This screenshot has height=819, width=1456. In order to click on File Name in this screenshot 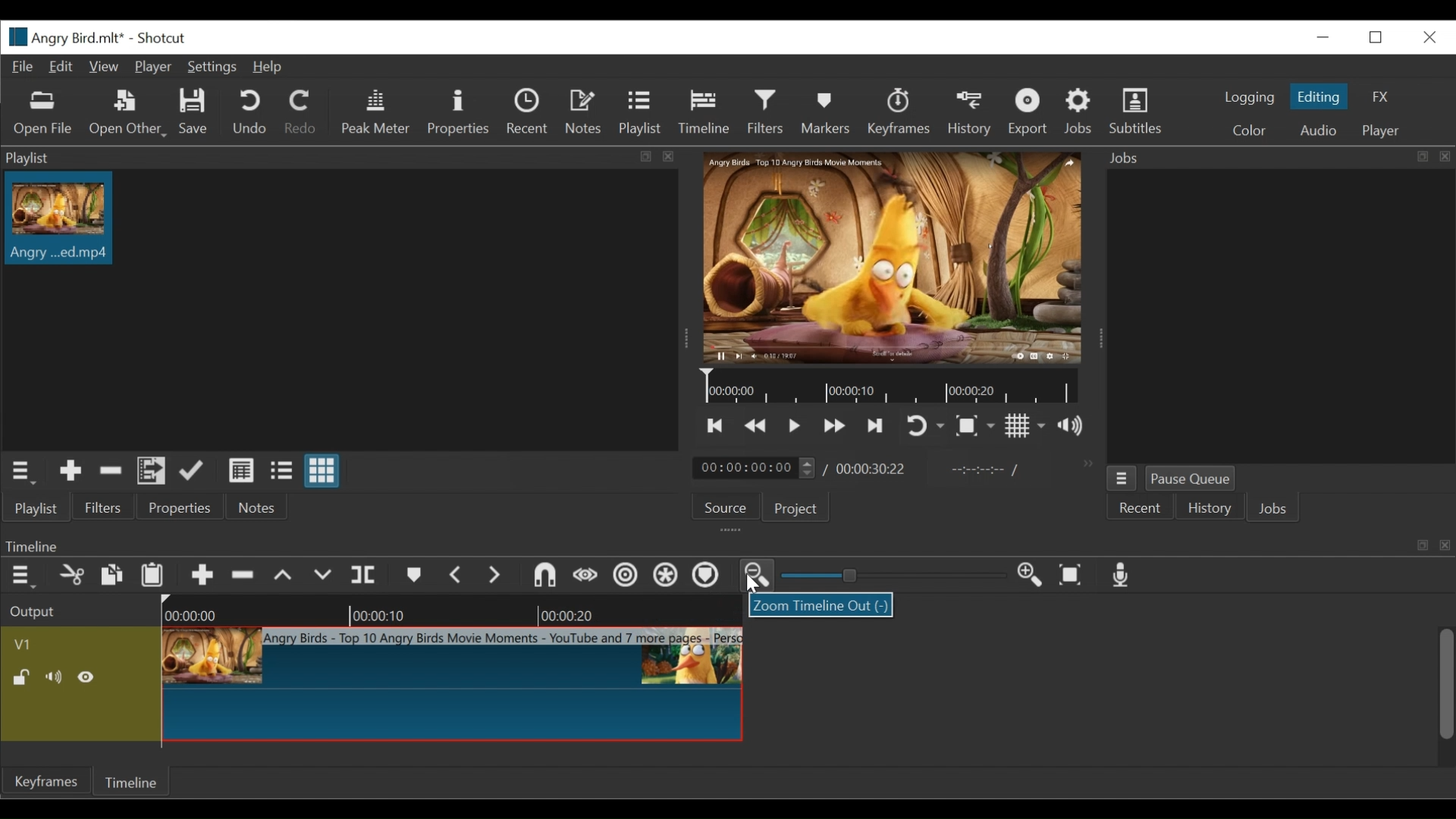, I will do `click(63, 37)`.